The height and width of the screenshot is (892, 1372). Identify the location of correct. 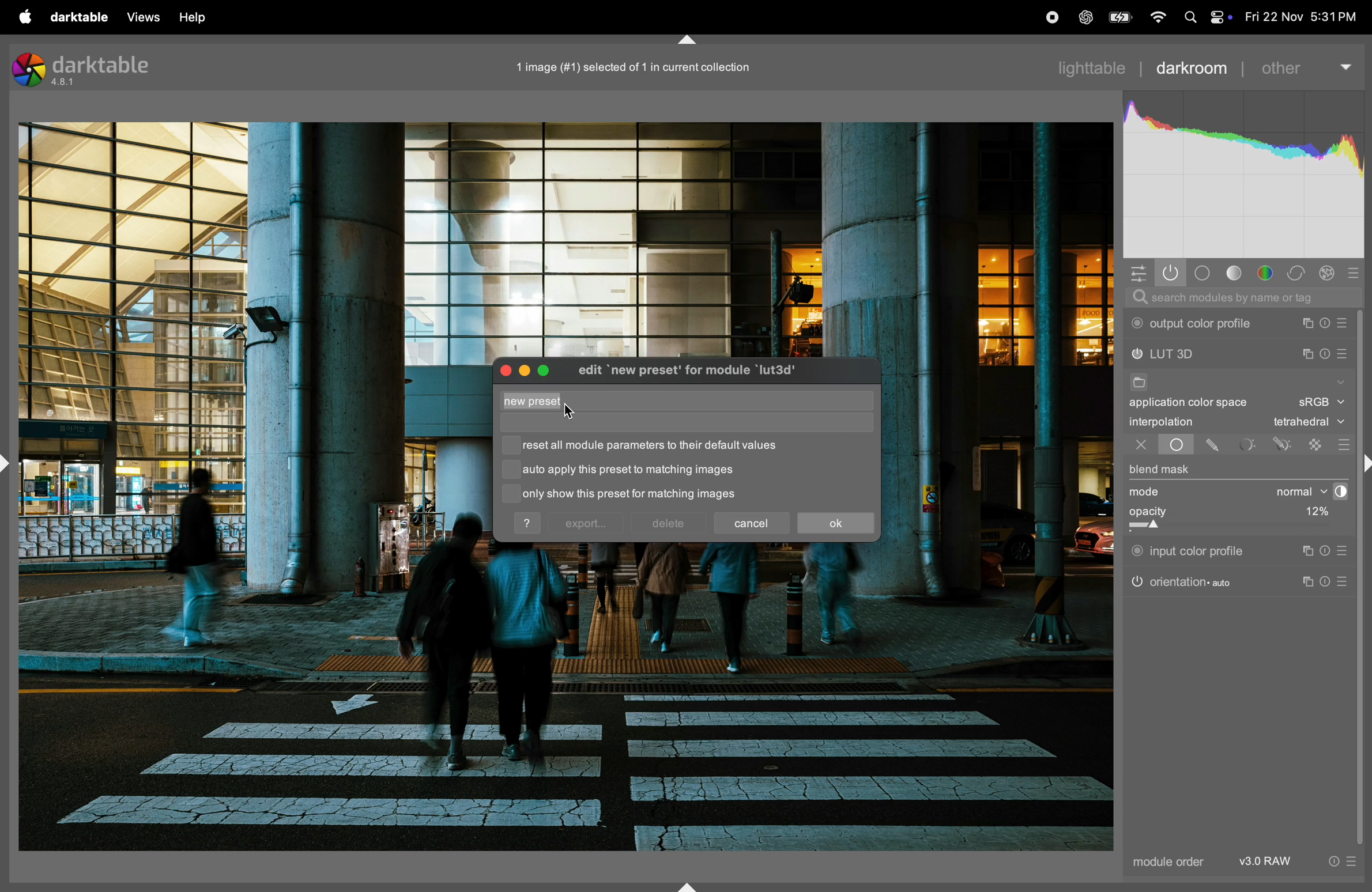
(1329, 273).